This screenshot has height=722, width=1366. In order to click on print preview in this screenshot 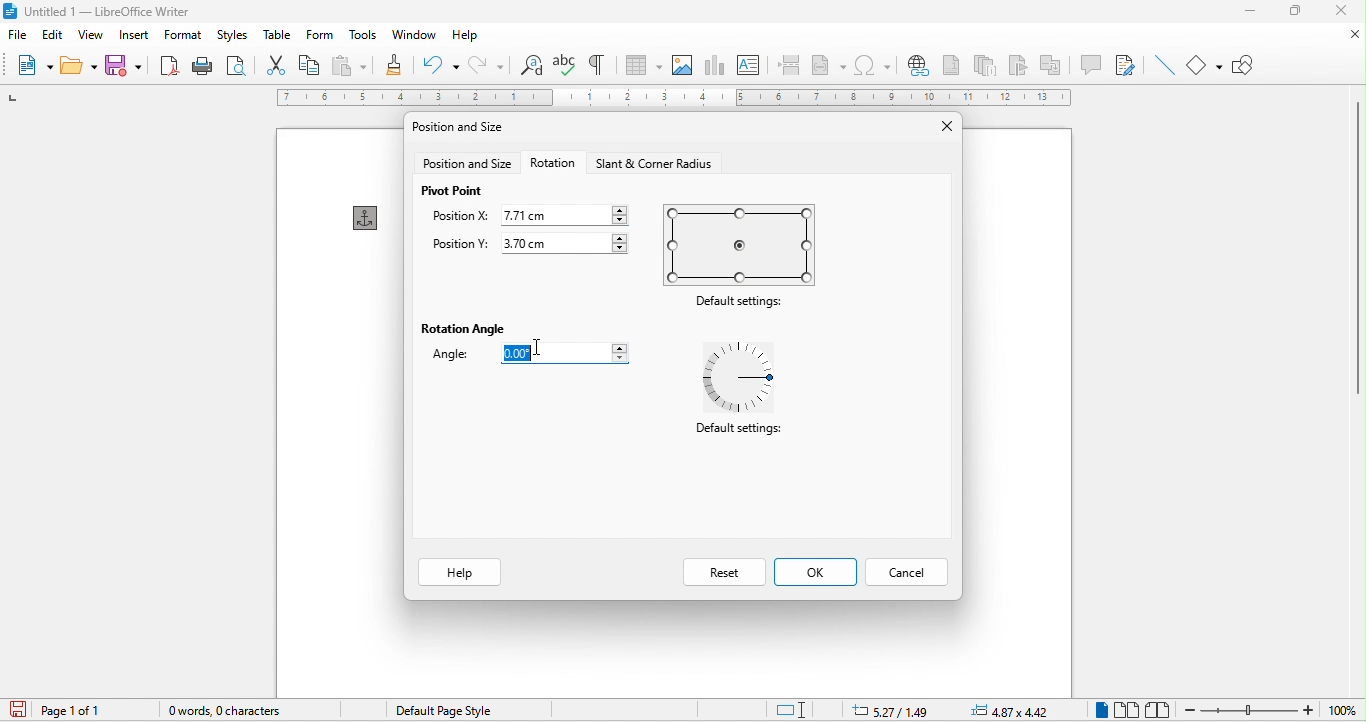, I will do `click(236, 67)`.